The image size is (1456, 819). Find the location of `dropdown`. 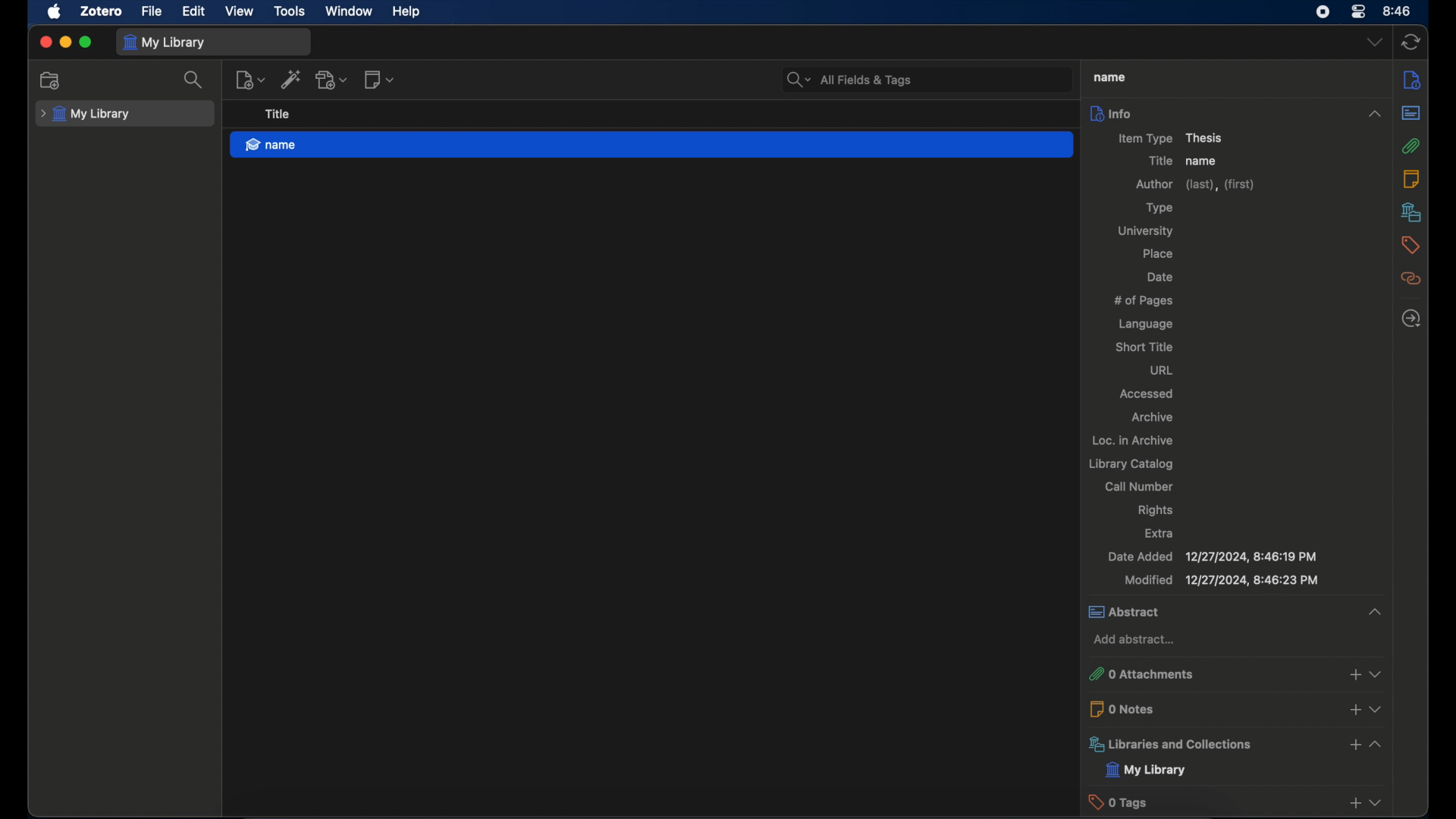

dropdown is located at coordinates (1376, 709).